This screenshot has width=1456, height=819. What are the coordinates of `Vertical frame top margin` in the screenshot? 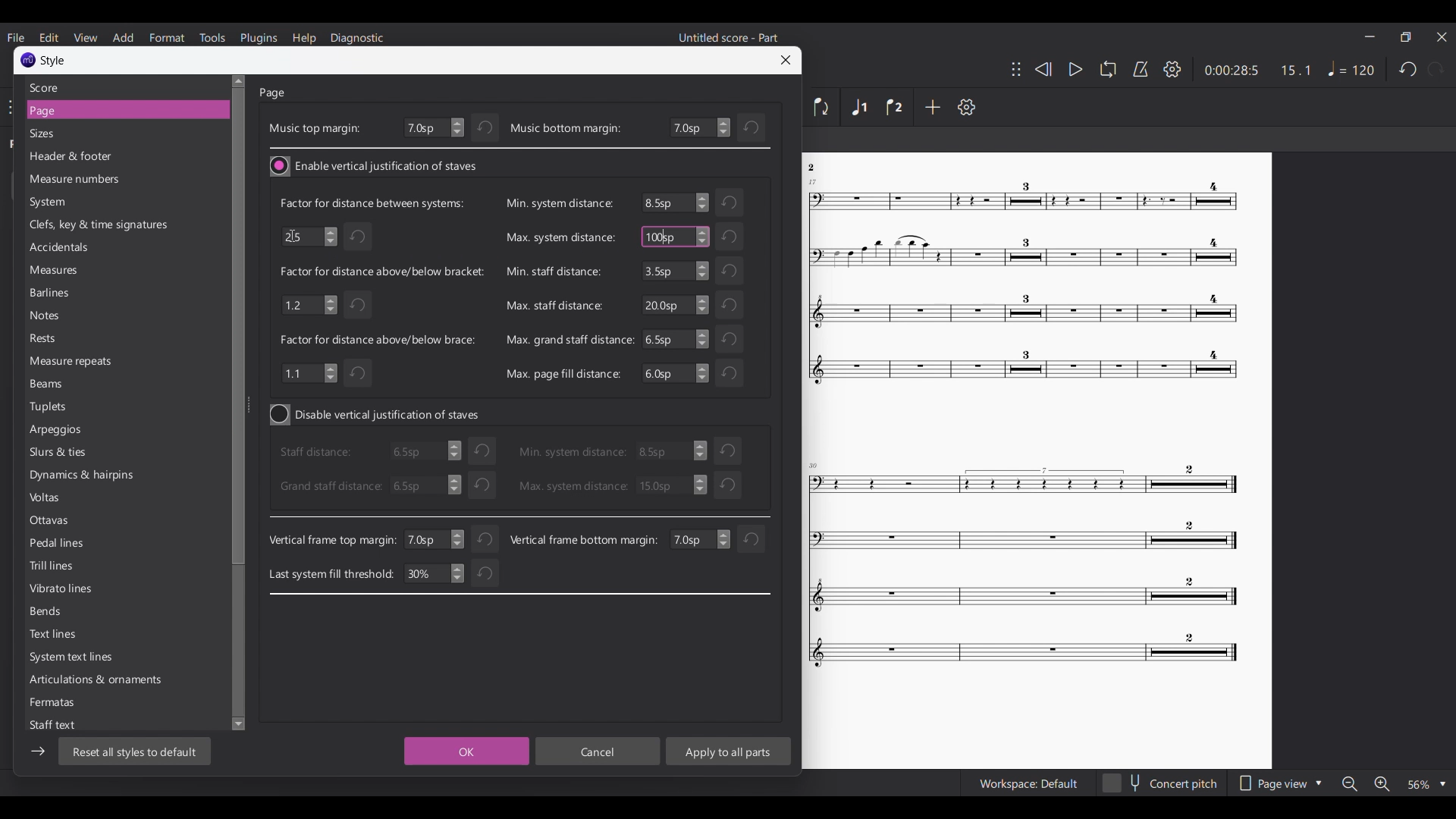 It's located at (331, 541).